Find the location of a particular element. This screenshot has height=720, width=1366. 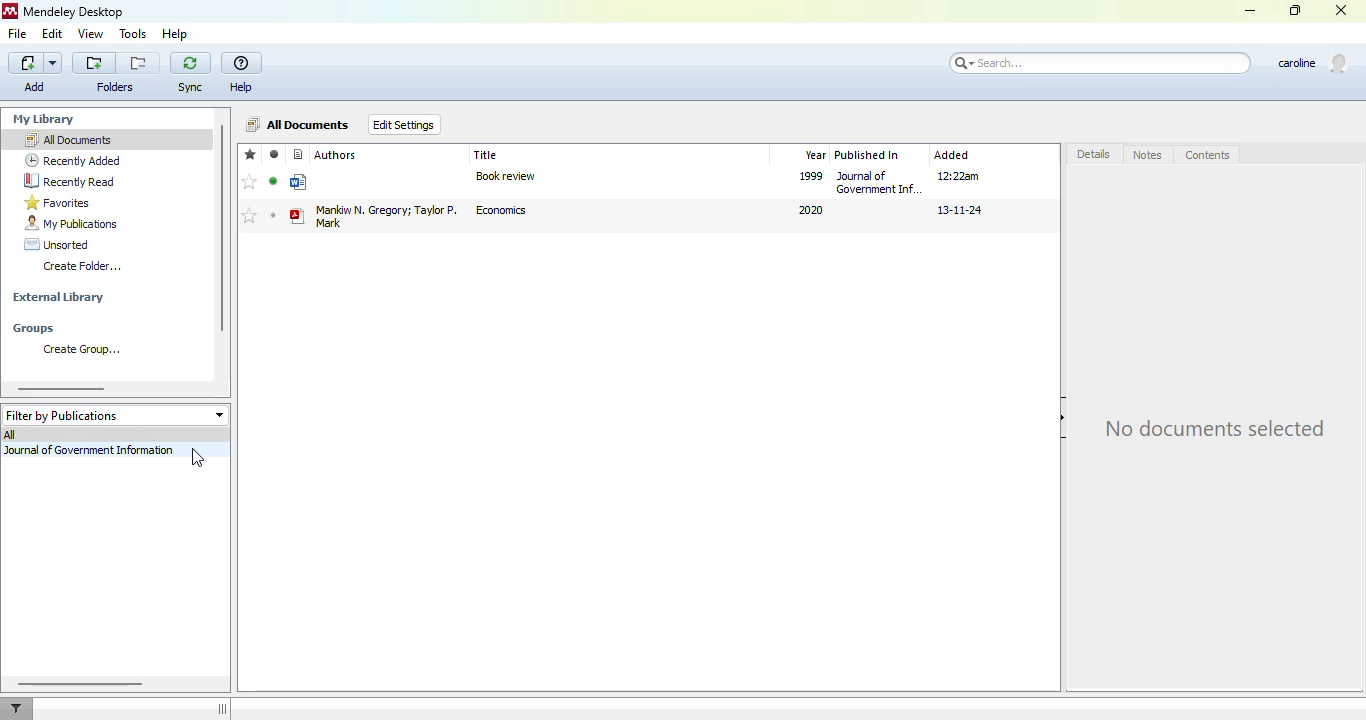

horizontal scroll bar is located at coordinates (82, 683).